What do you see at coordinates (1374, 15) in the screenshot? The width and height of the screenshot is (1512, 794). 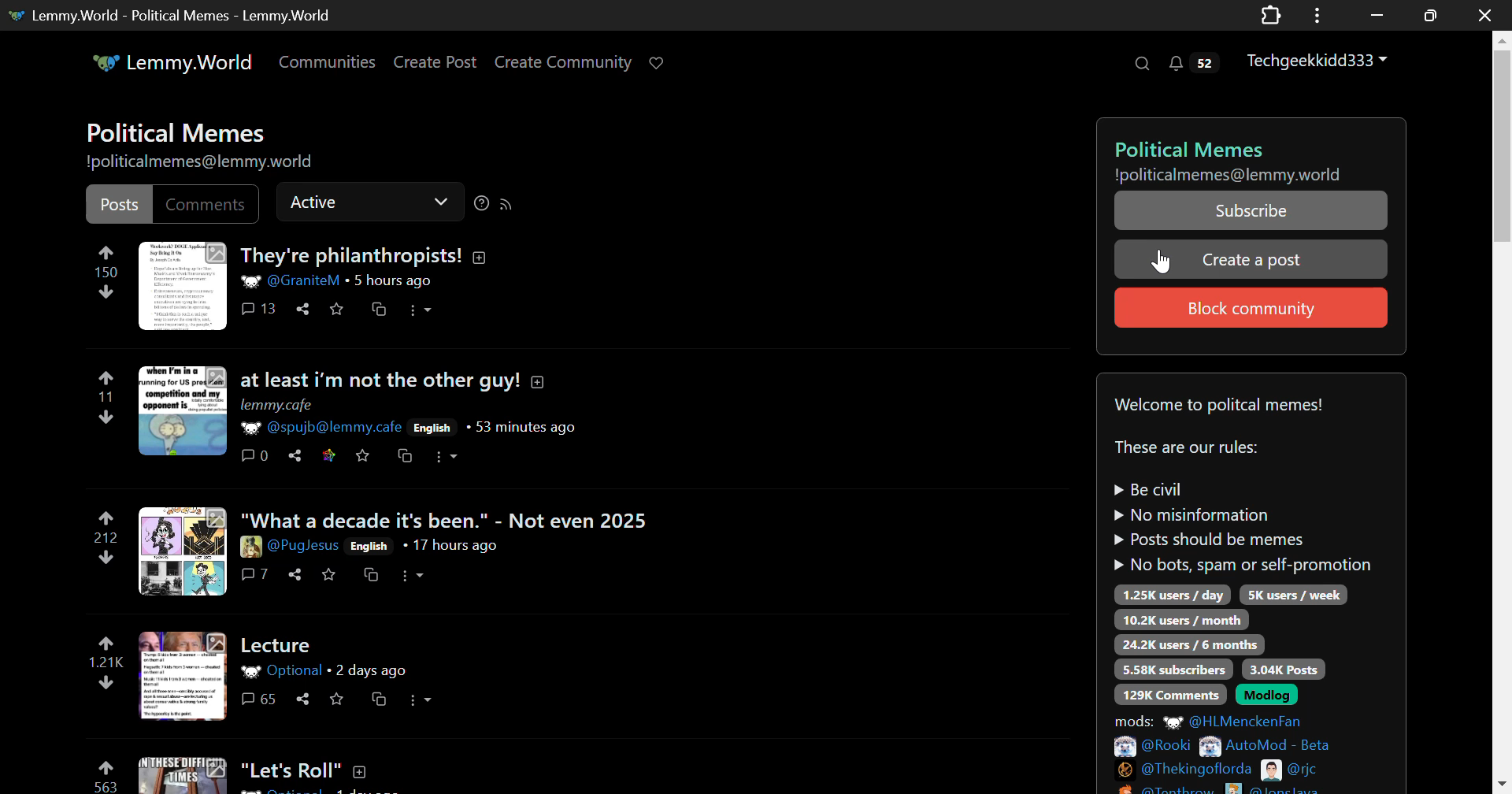 I see `Restore Down` at bounding box center [1374, 15].